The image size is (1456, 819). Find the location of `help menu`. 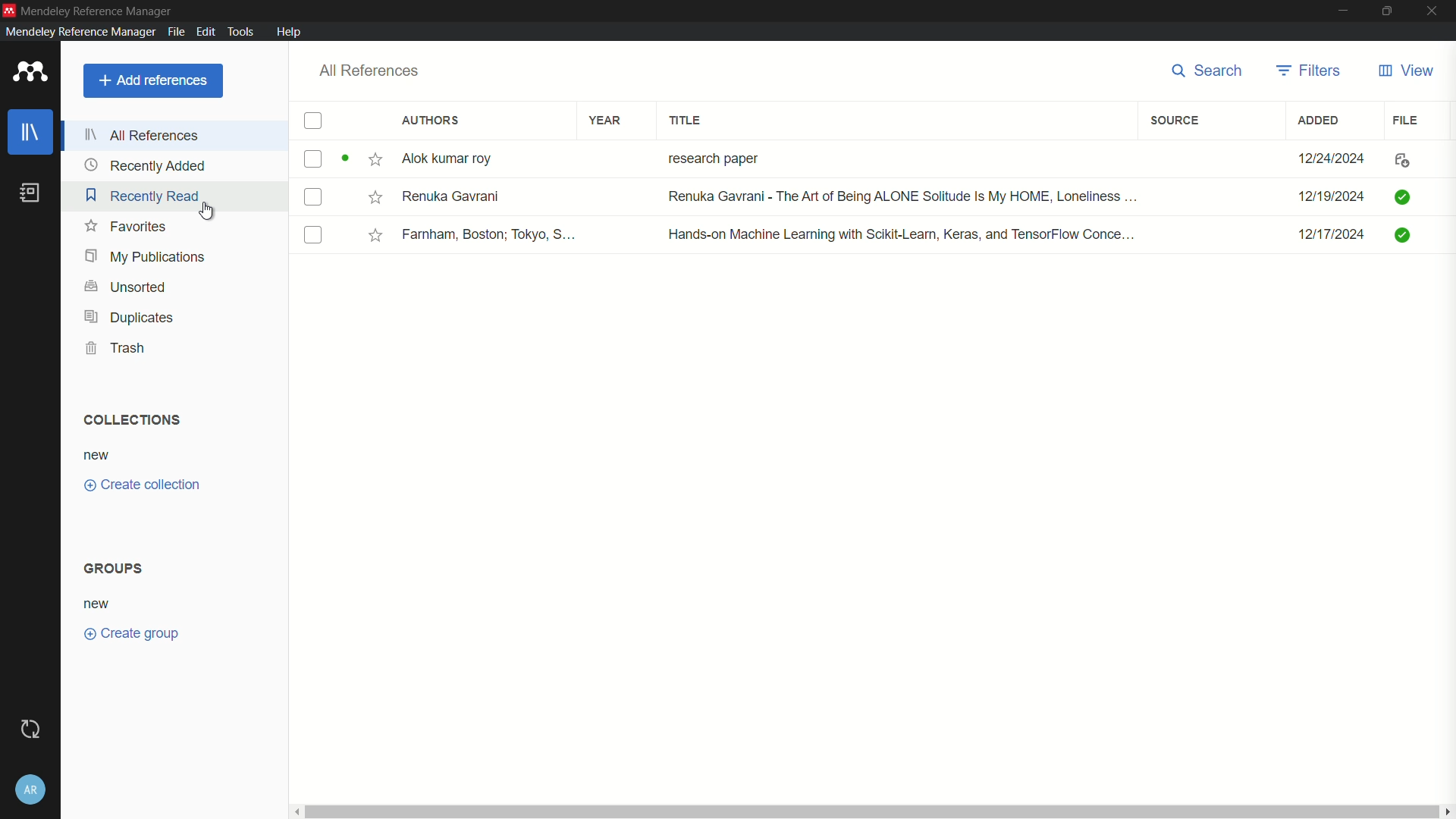

help menu is located at coordinates (291, 33).